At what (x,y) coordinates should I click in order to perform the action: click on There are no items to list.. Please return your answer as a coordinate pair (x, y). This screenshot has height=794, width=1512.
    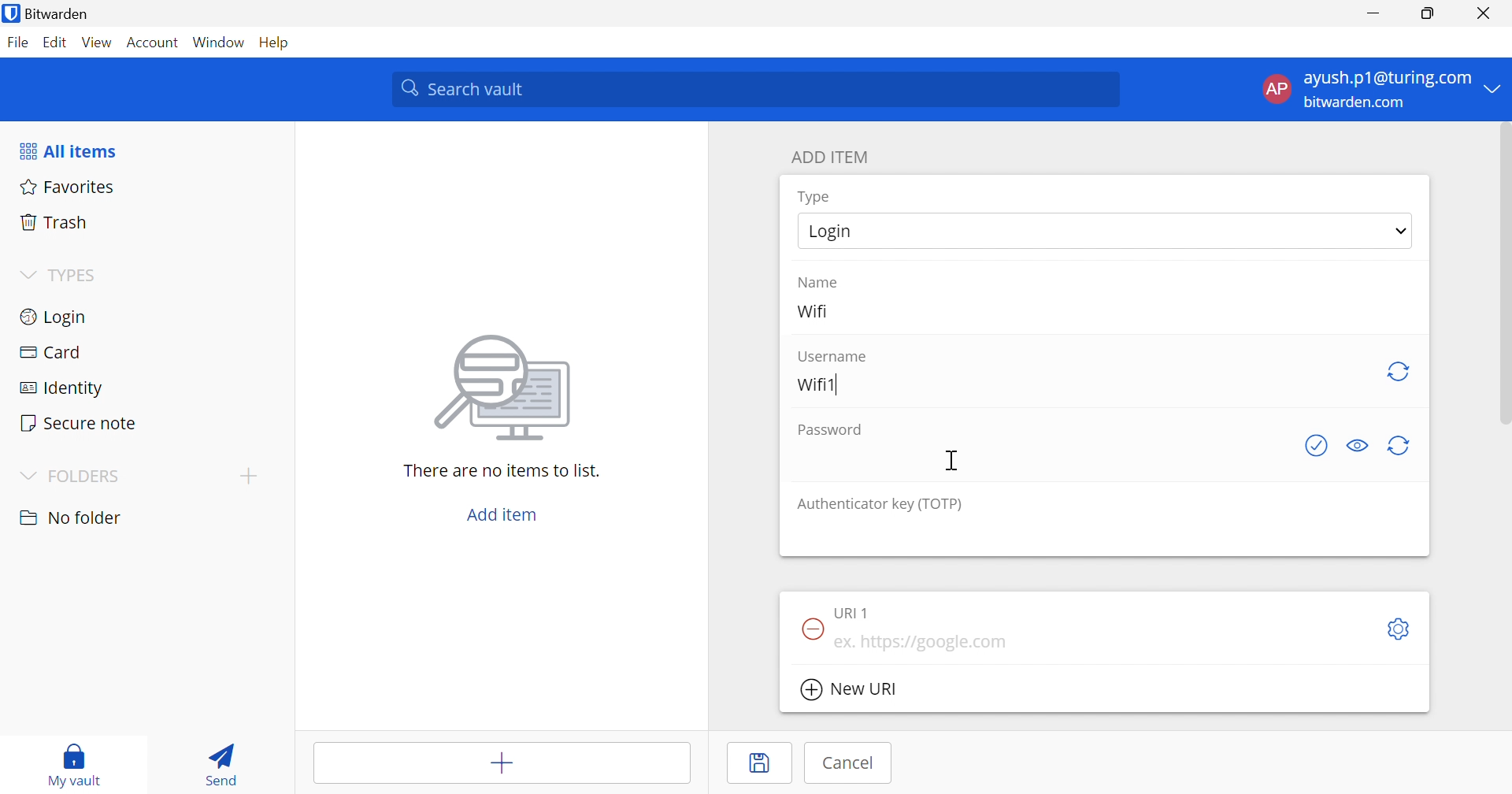
    Looking at the image, I should click on (503, 469).